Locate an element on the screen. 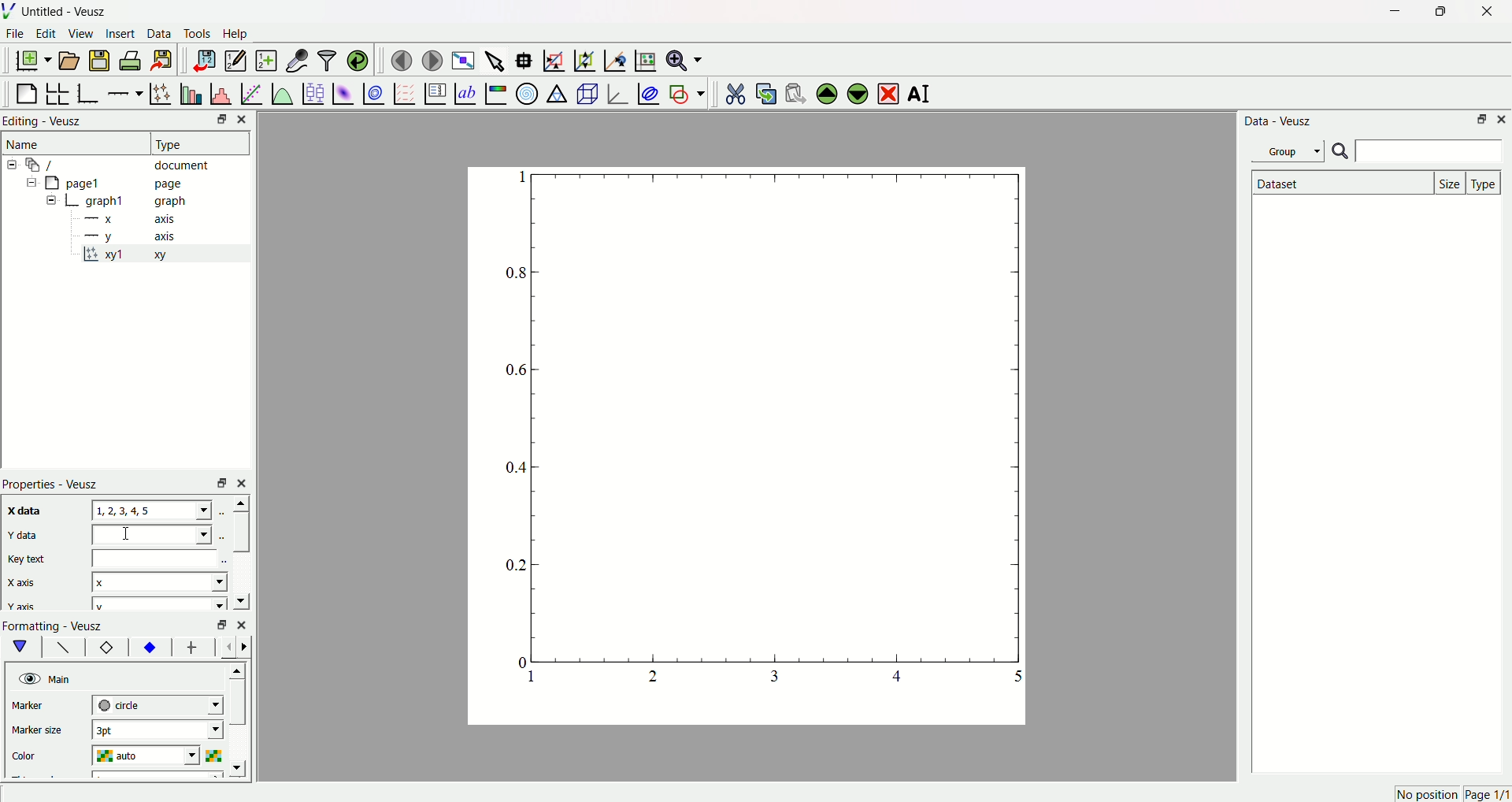 Image resolution: width=1512 pixels, height=802 pixels. Data - Veusz is located at coordinates (1280, 122).